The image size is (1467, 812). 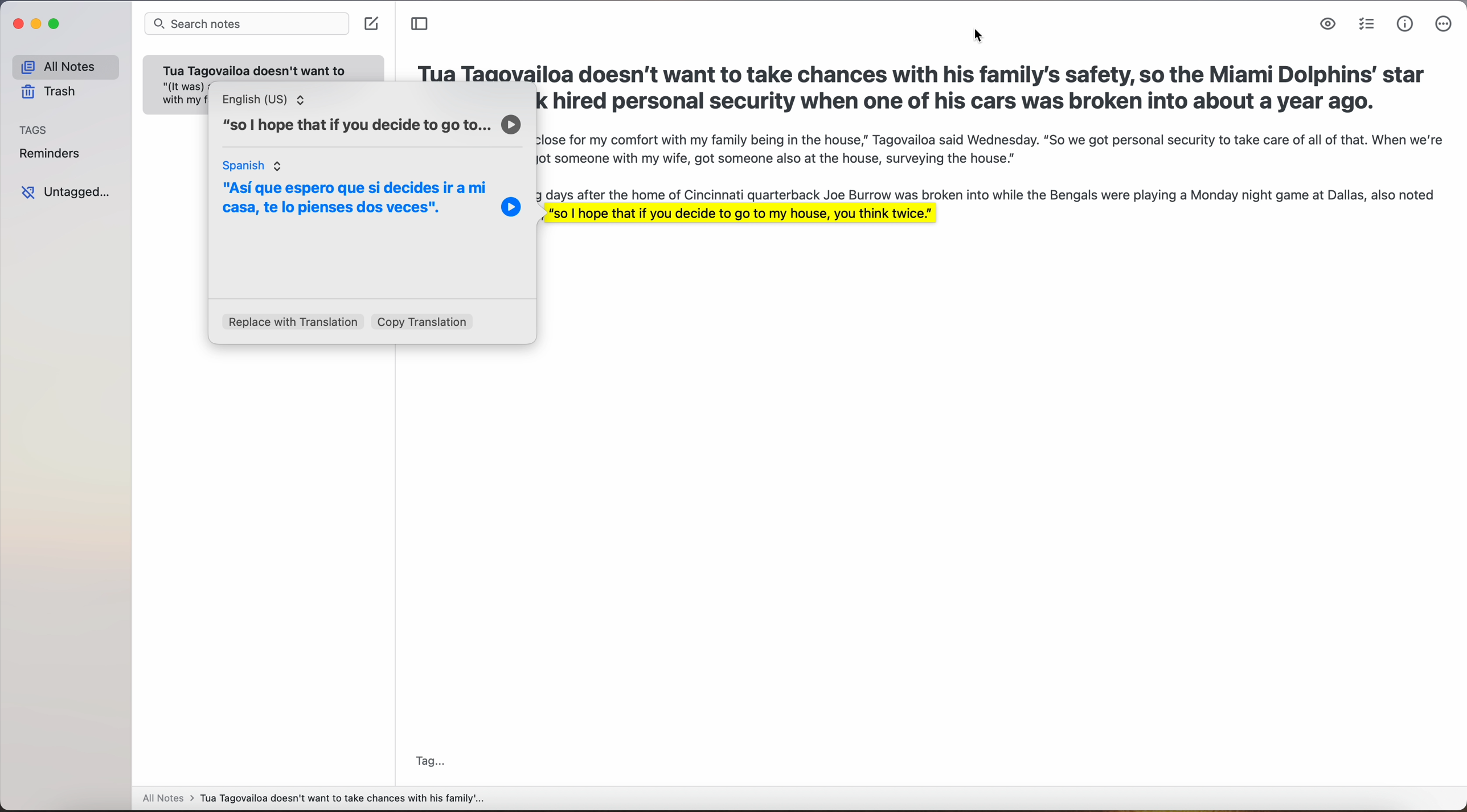 I want to click on Tua Tagovailoa doesn't want to take chances with his family's safety, so the Miami Dolphins’ star
quarterback hired personal security when one of his cars was broken into about a year ago., so click(x=923, y=85).